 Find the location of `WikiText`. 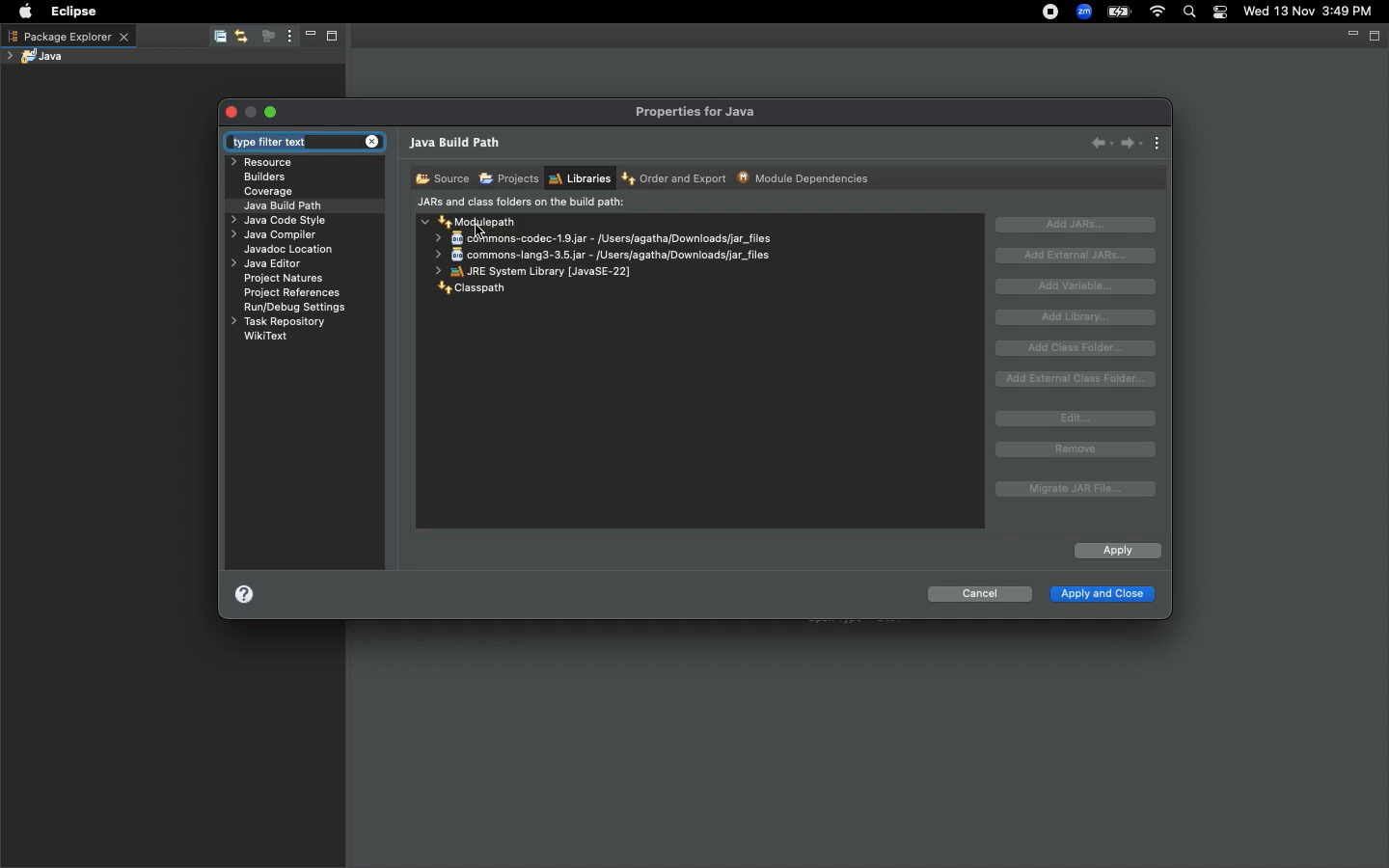

WikiText is located at coordinates (266, 336).